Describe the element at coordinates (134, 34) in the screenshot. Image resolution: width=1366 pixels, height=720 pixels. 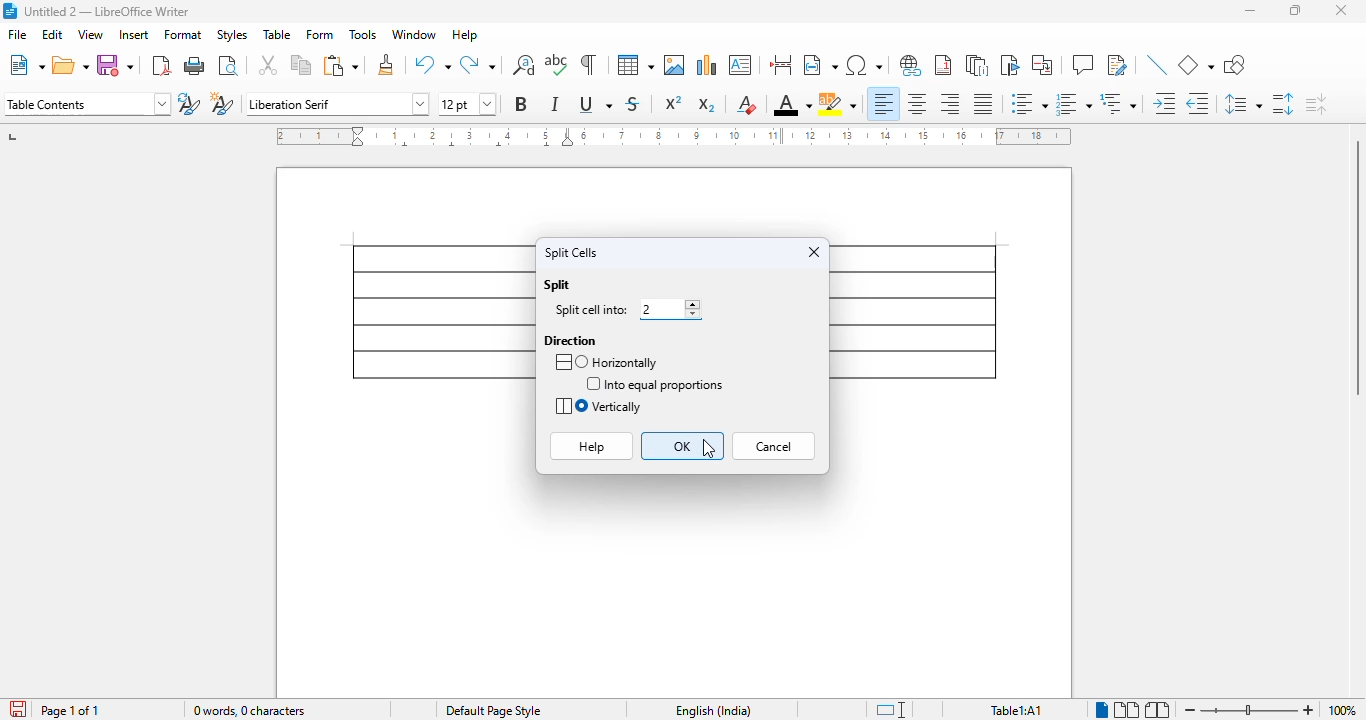
I see `insert` at that location.